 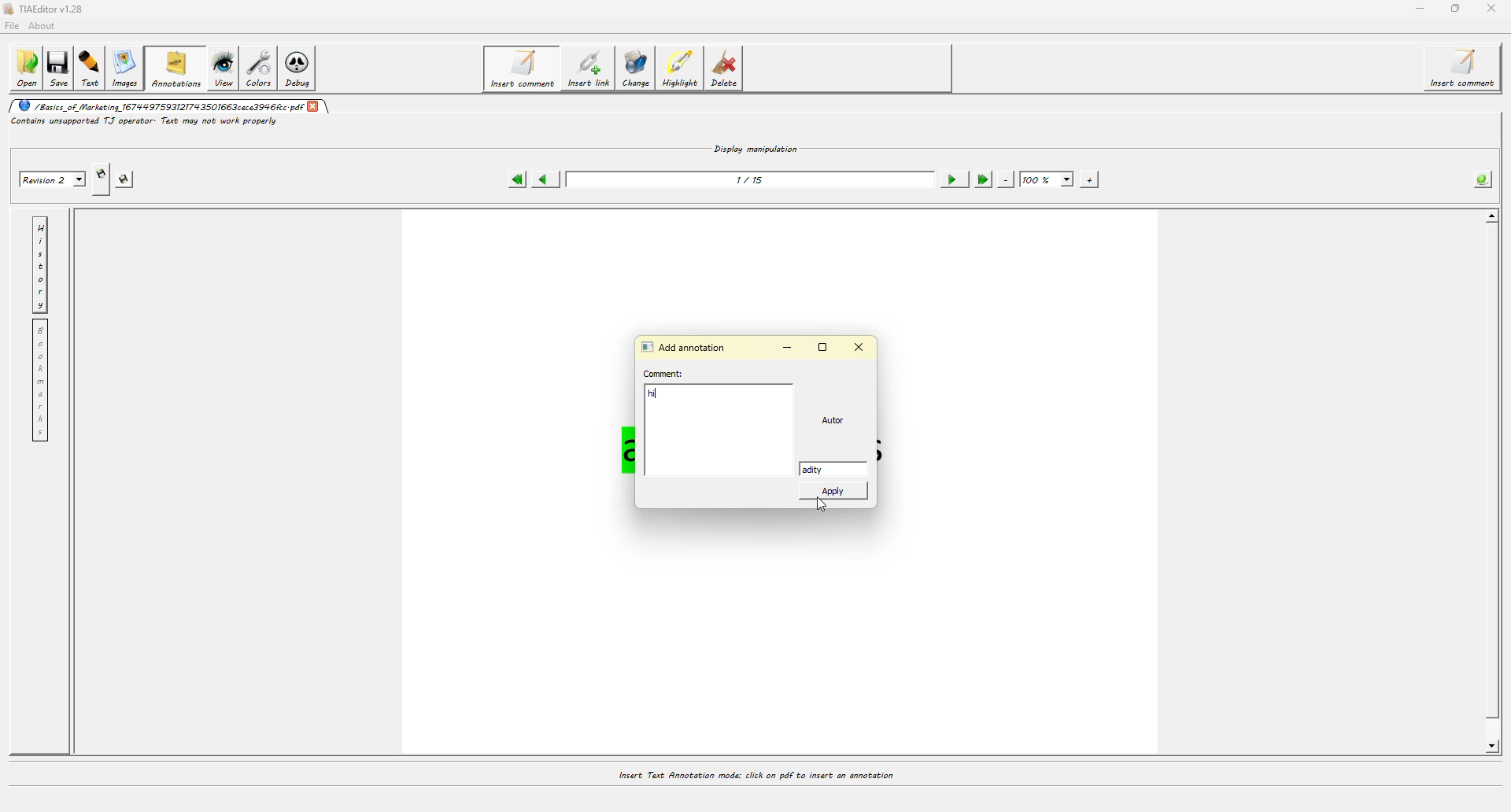 I want to click on minimize, so click(x=1417, y=9).